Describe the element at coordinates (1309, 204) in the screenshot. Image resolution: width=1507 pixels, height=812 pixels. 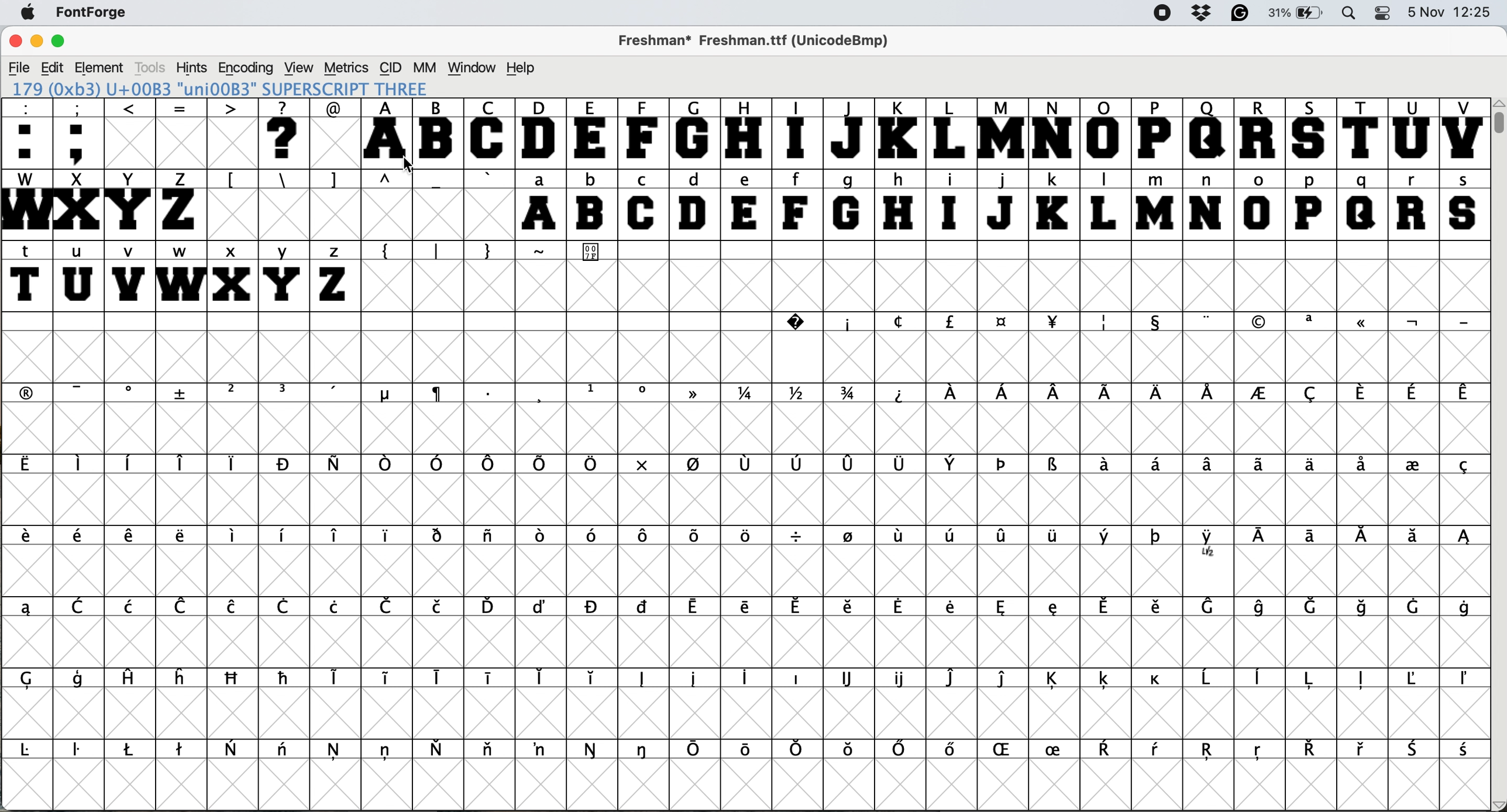
I see `p` at that location.